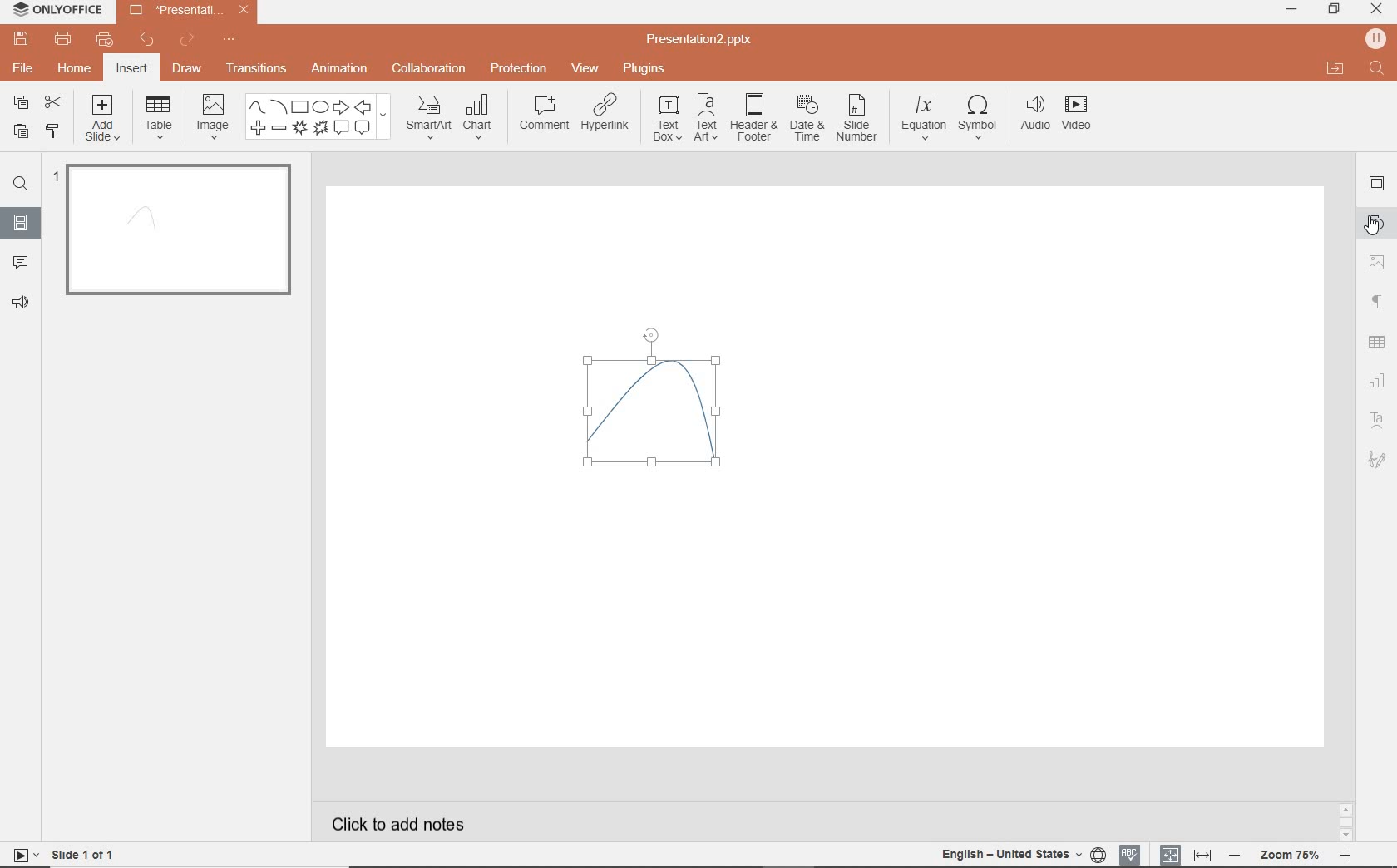 The width and height of the screenshot is (1397, 868). What do you see at coordinates (978, 117) in the screenshot?
I see `SYMBOL` at bounding box center [978, 117].